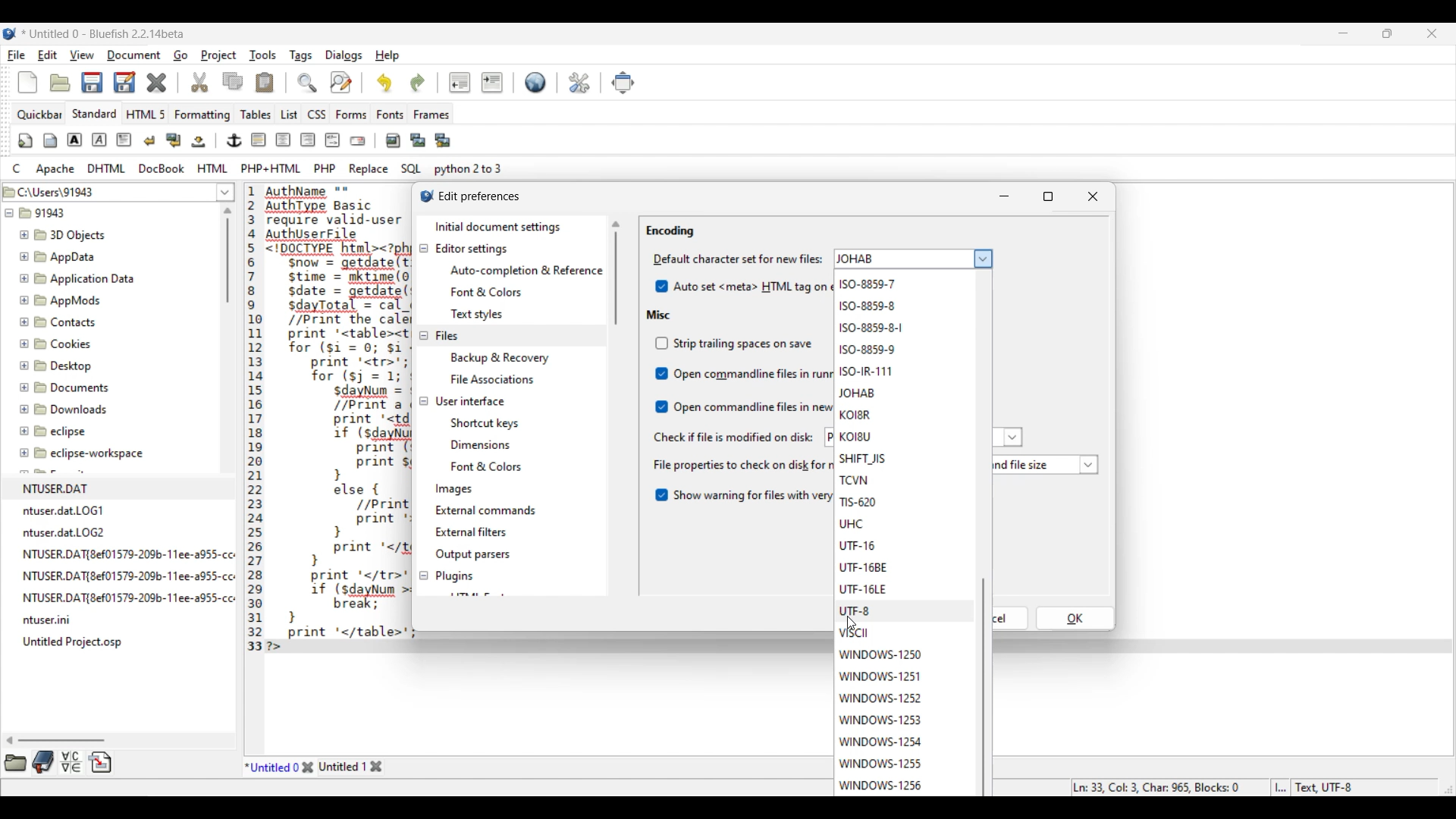 This screenshot has height=819, width=1456. I want to click on Delete , so click(157, 83).